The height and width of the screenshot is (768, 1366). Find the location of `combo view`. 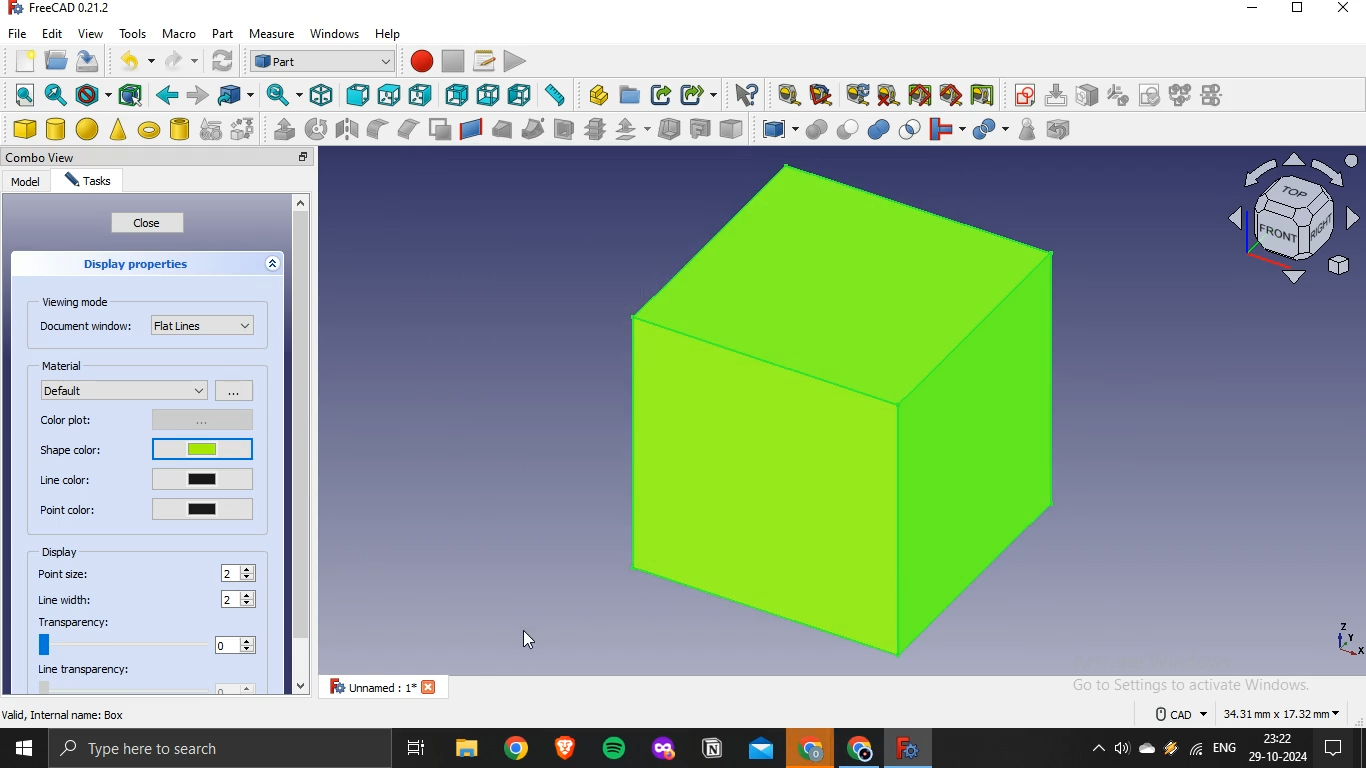

combo view is located at coordinates (45, 157).